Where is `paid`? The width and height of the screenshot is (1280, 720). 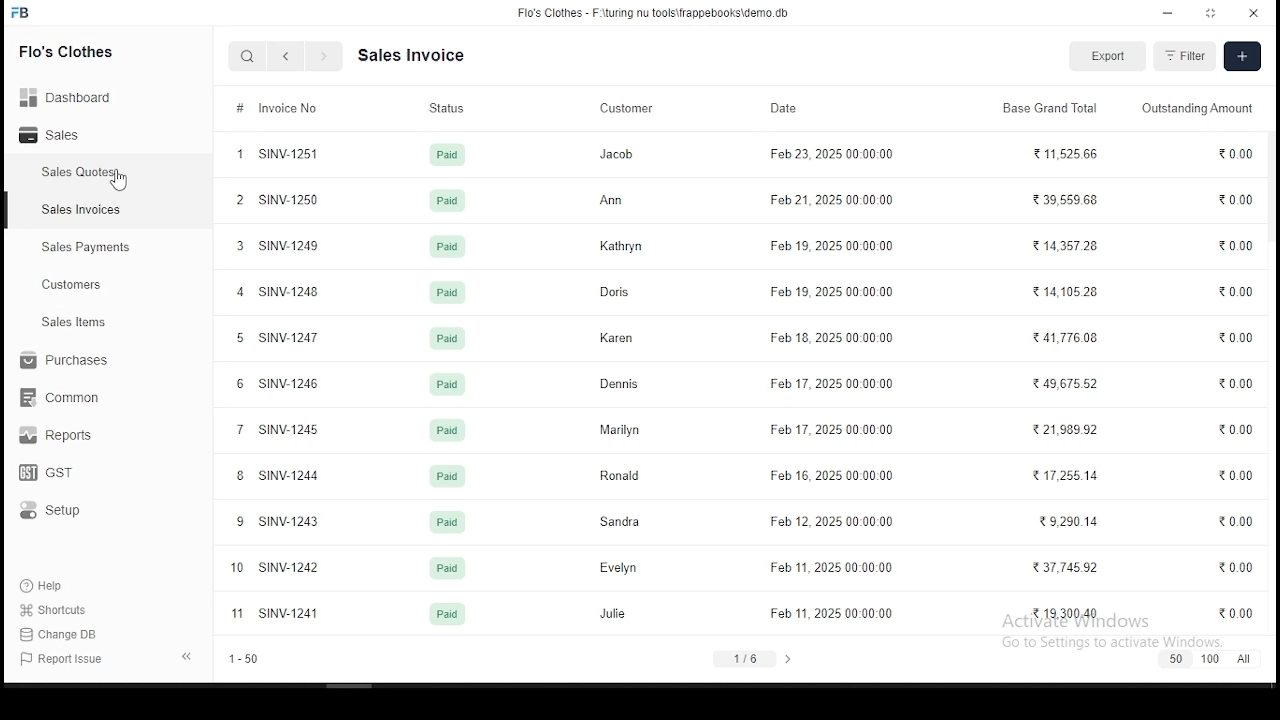 paid is located at coordinates (447, 570).